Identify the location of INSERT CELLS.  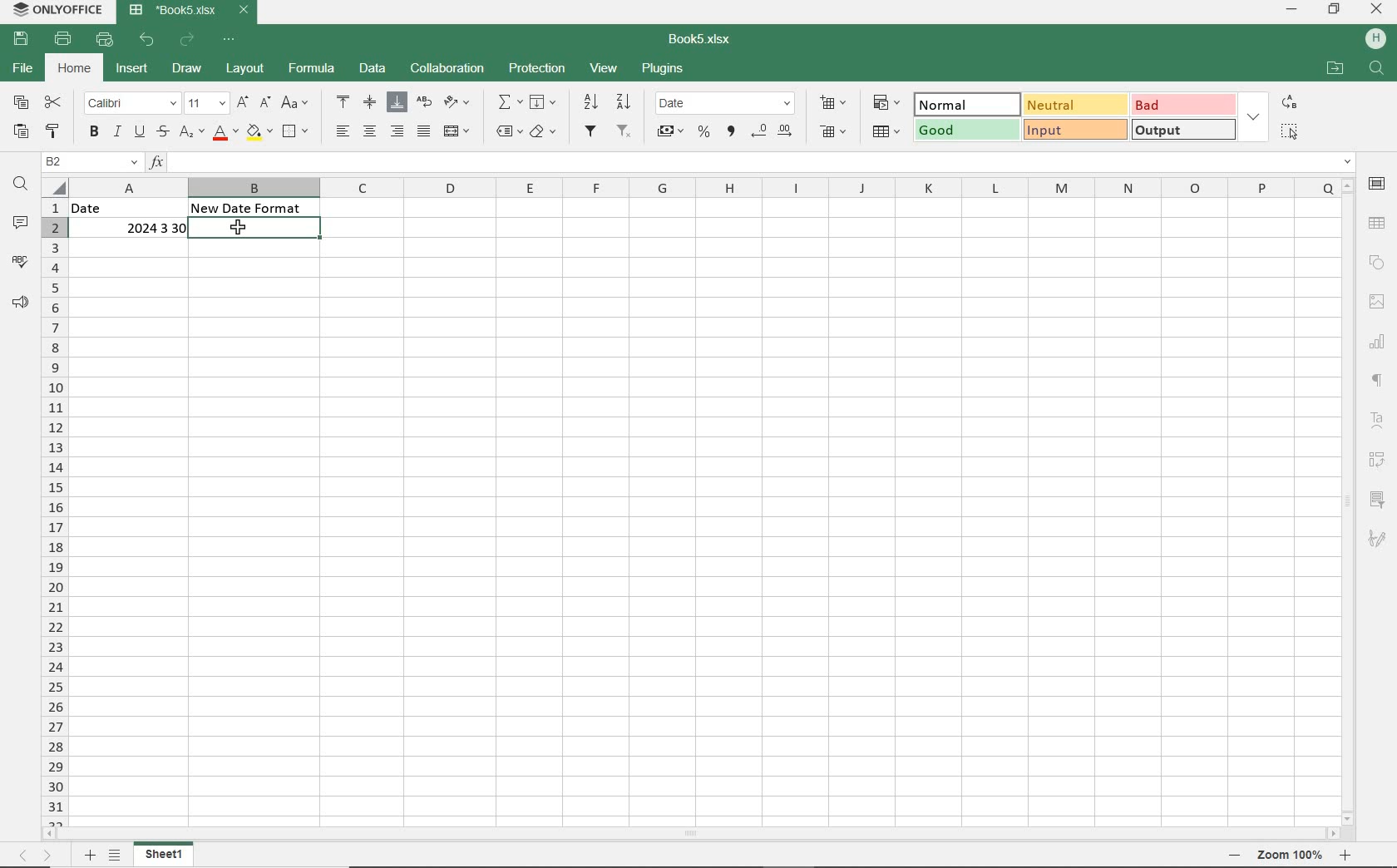
(833, 104).